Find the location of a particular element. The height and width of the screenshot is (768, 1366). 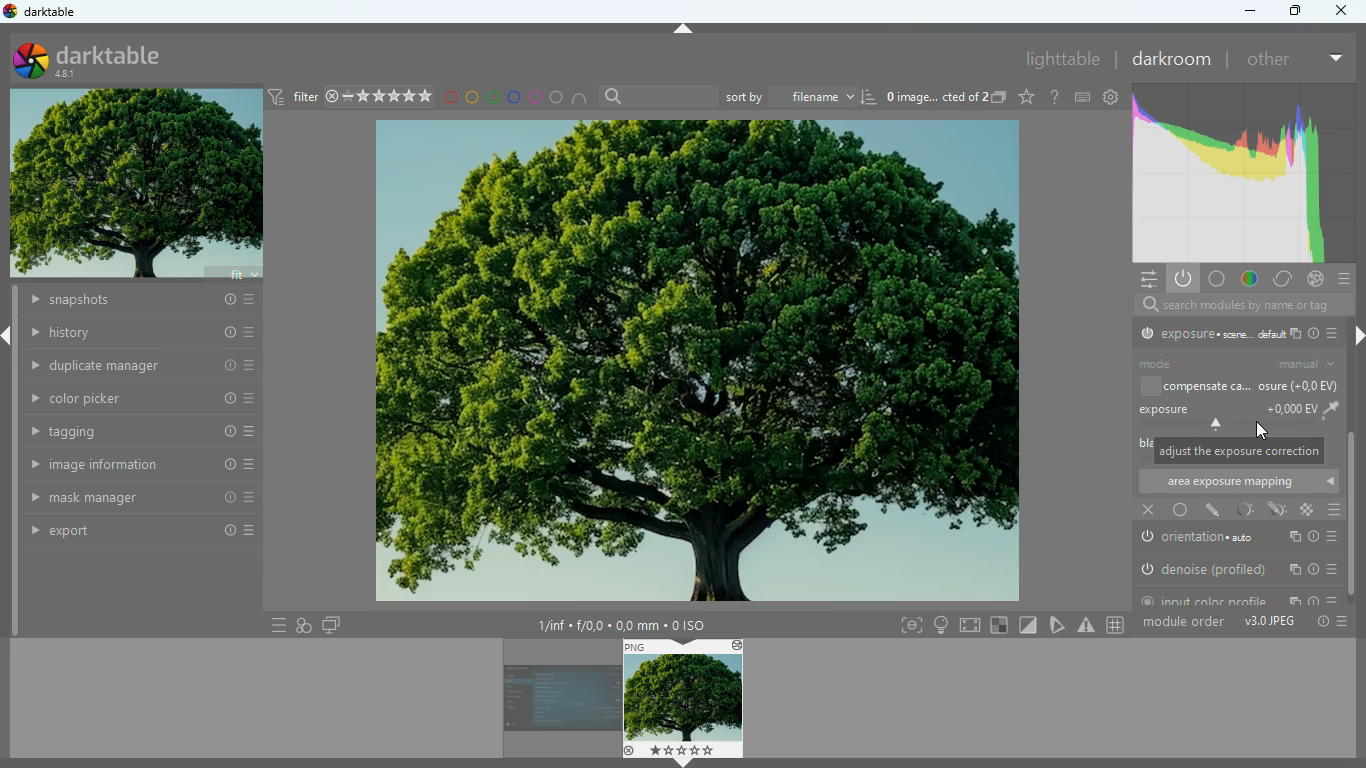

down is located at coordinates (686, 763).